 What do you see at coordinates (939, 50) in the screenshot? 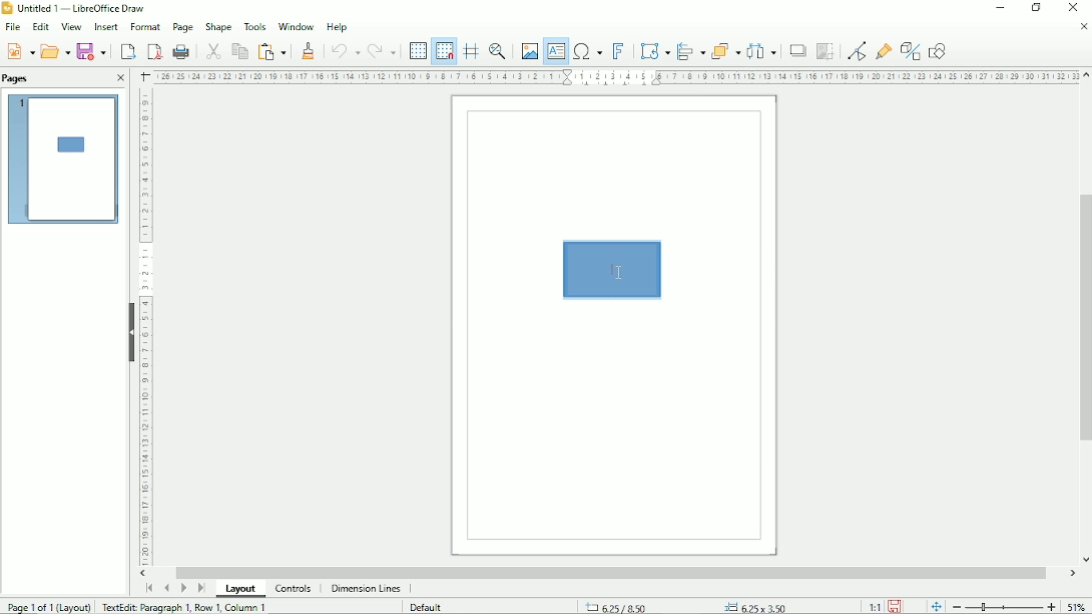
I see `Show draw functions` at bounding box center [939, 50].